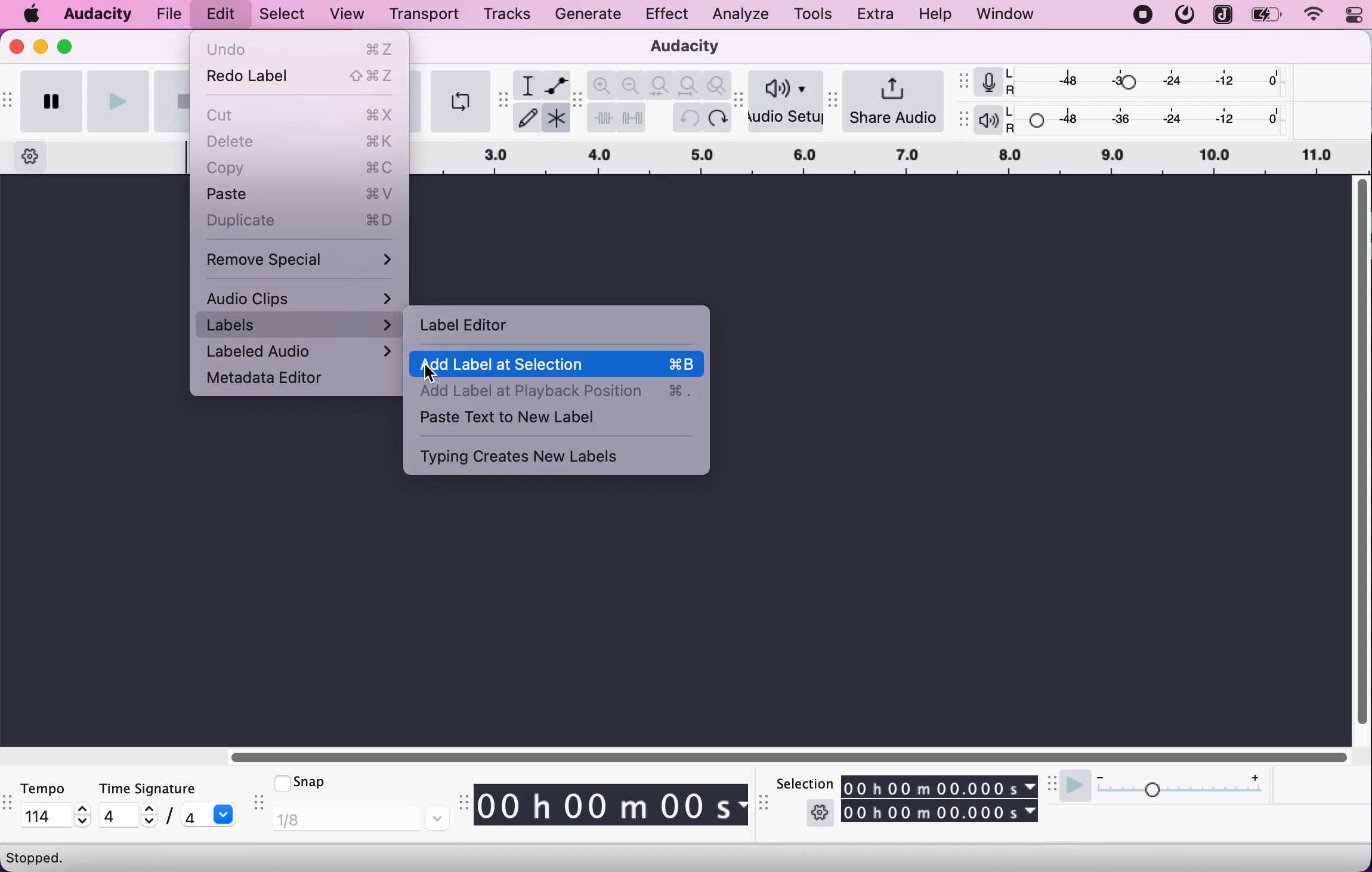  Describe the element at coordinates (37, 857) in the screenshot. I see `stopped` at that location.